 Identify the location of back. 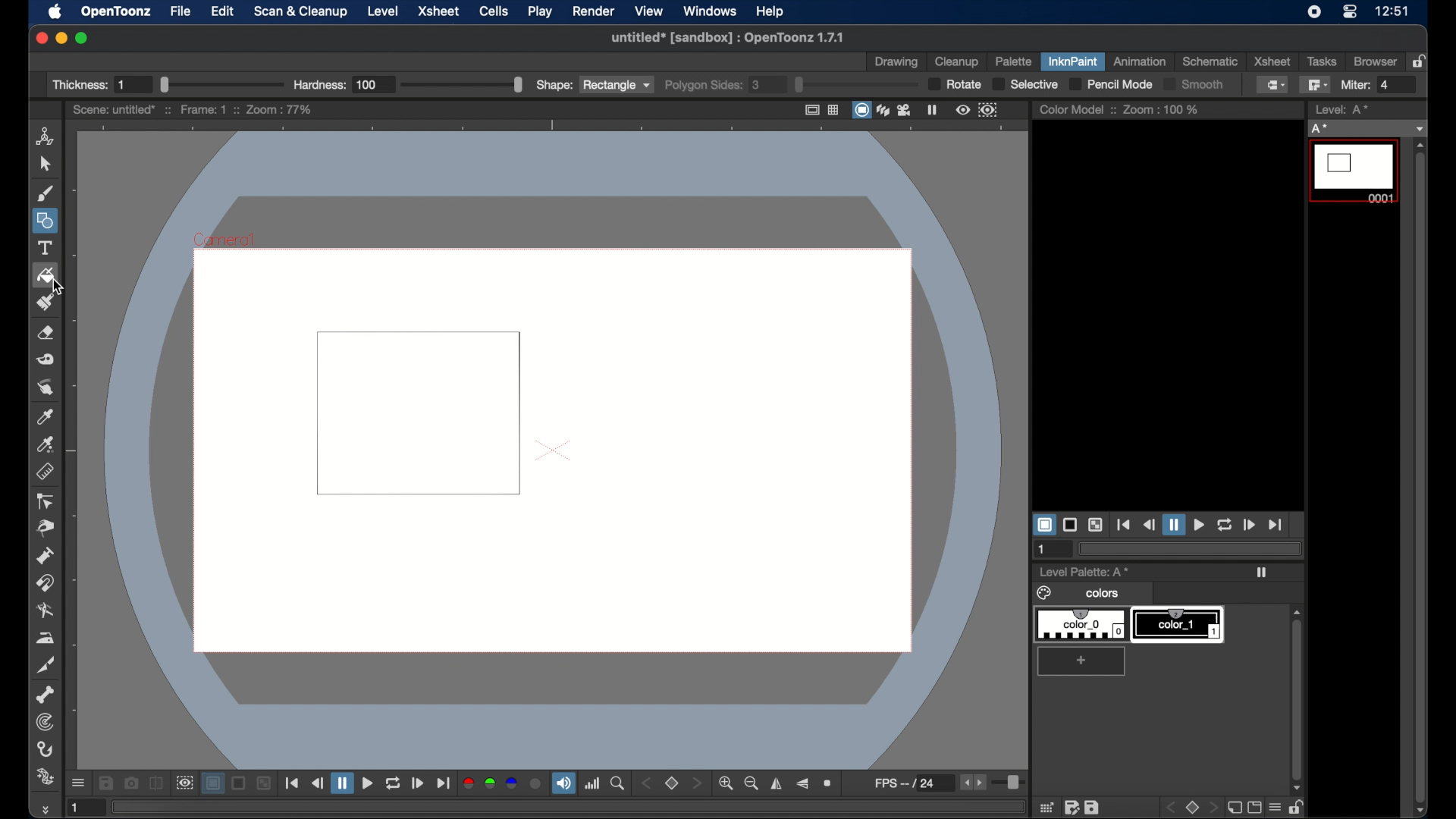
(1173, 808).